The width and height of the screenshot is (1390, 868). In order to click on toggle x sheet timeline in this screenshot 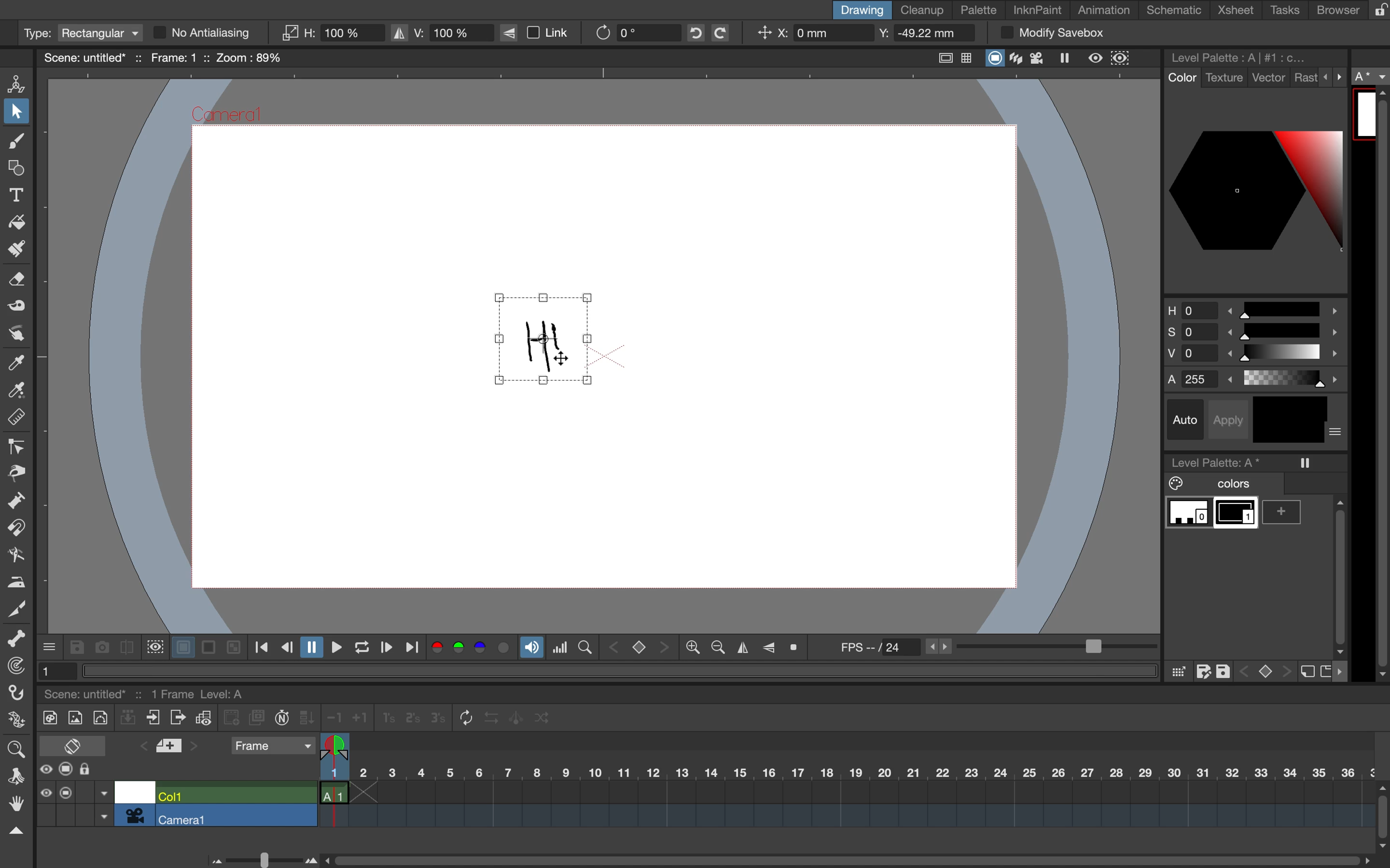, I will do `click(72, 745)`.